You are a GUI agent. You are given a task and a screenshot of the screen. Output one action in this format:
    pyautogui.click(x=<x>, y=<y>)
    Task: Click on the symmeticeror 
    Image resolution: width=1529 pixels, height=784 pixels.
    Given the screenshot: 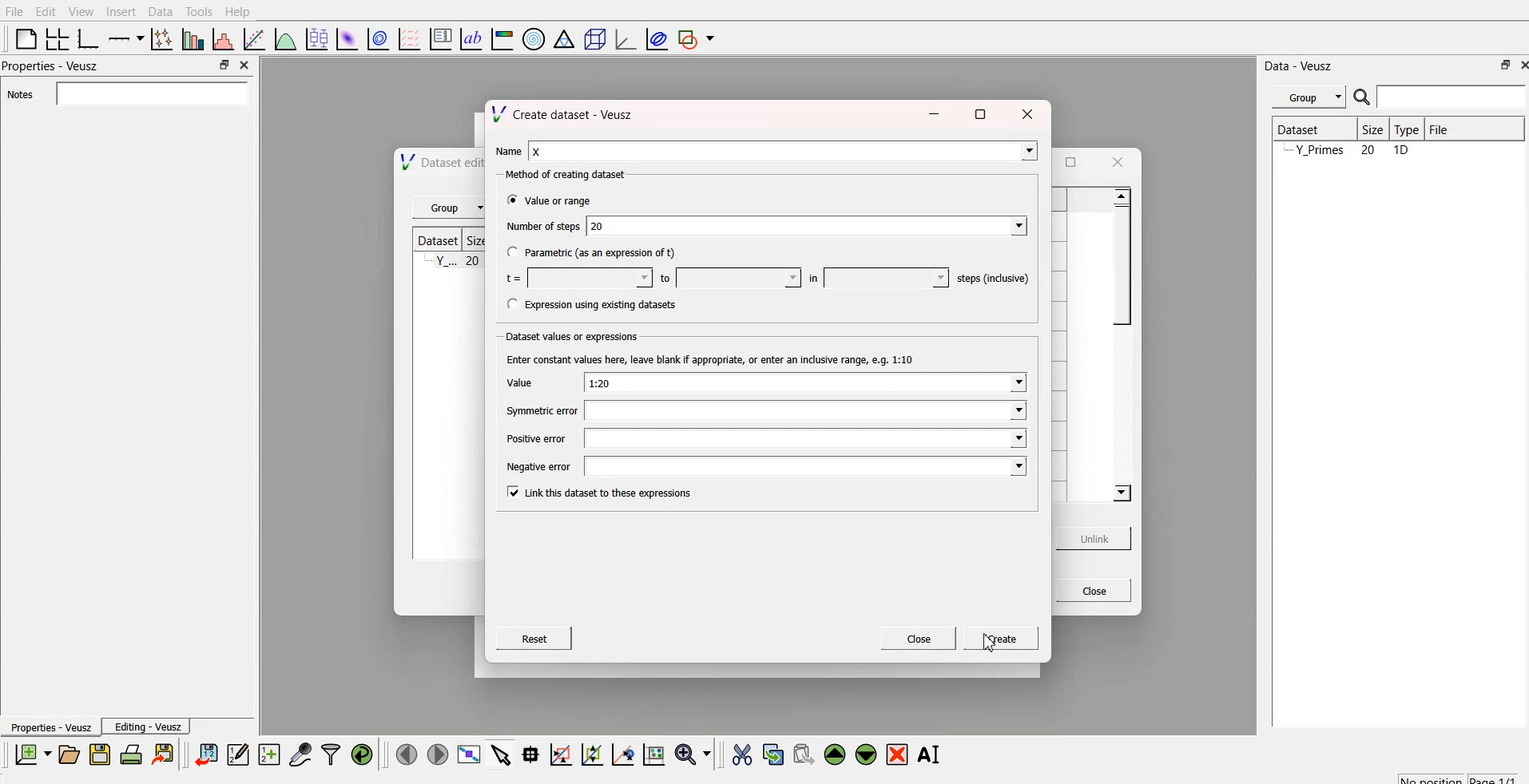 What is the action you would take?
    pyautogui.click(x=761, y=410)
    